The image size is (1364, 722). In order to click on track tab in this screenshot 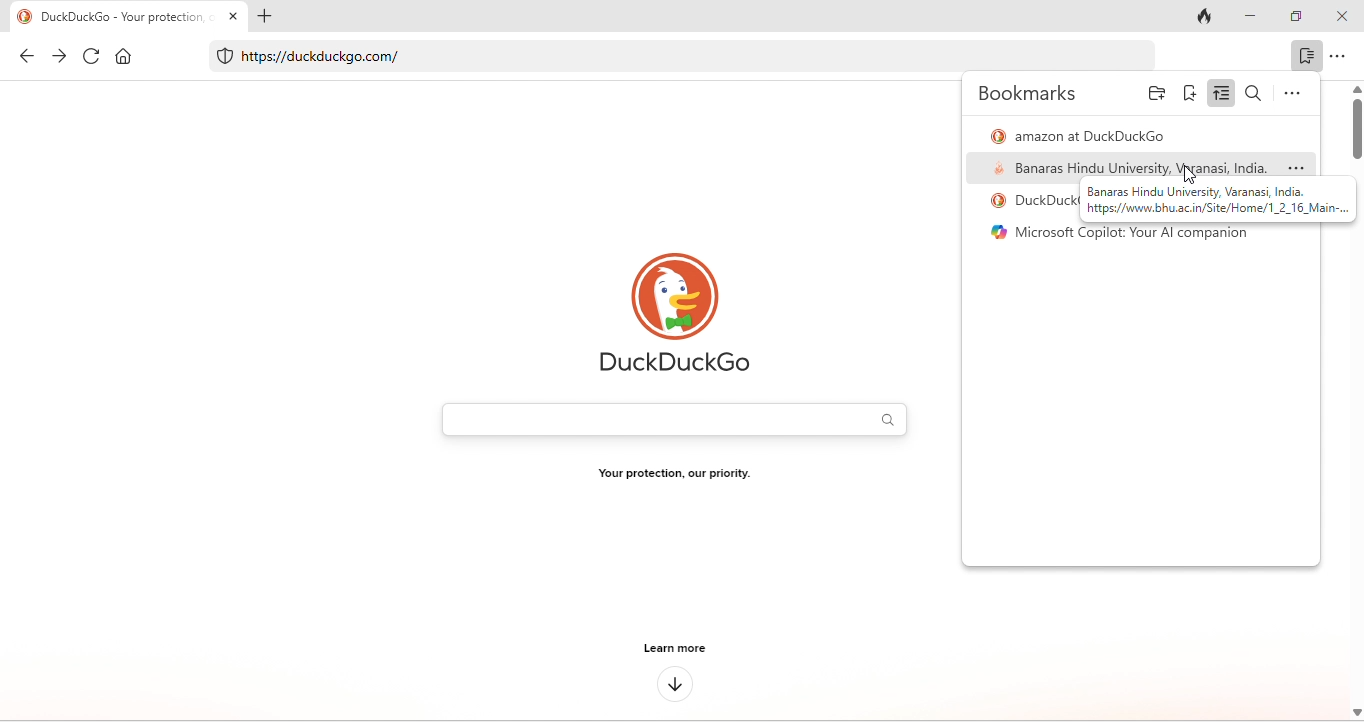, I will do `click(1205, 18)`.